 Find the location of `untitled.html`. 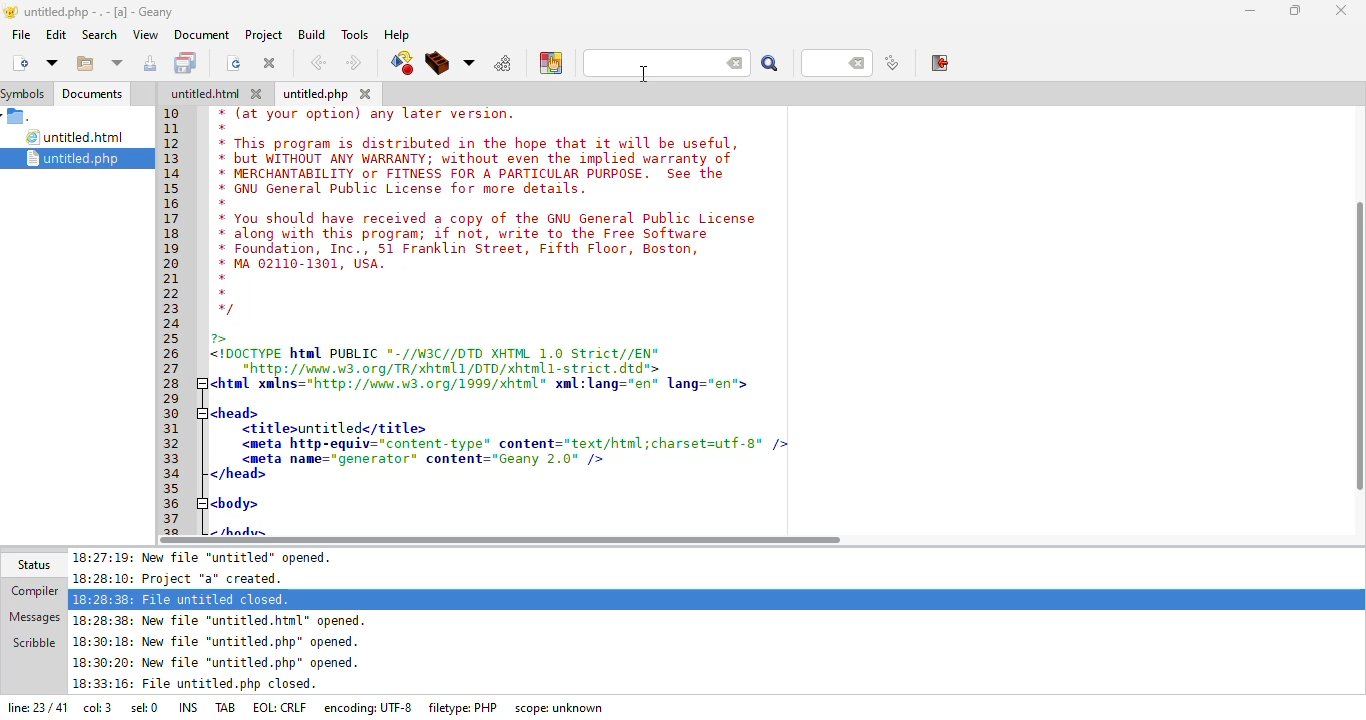

untitled.html is located at coordinates (78, 138).